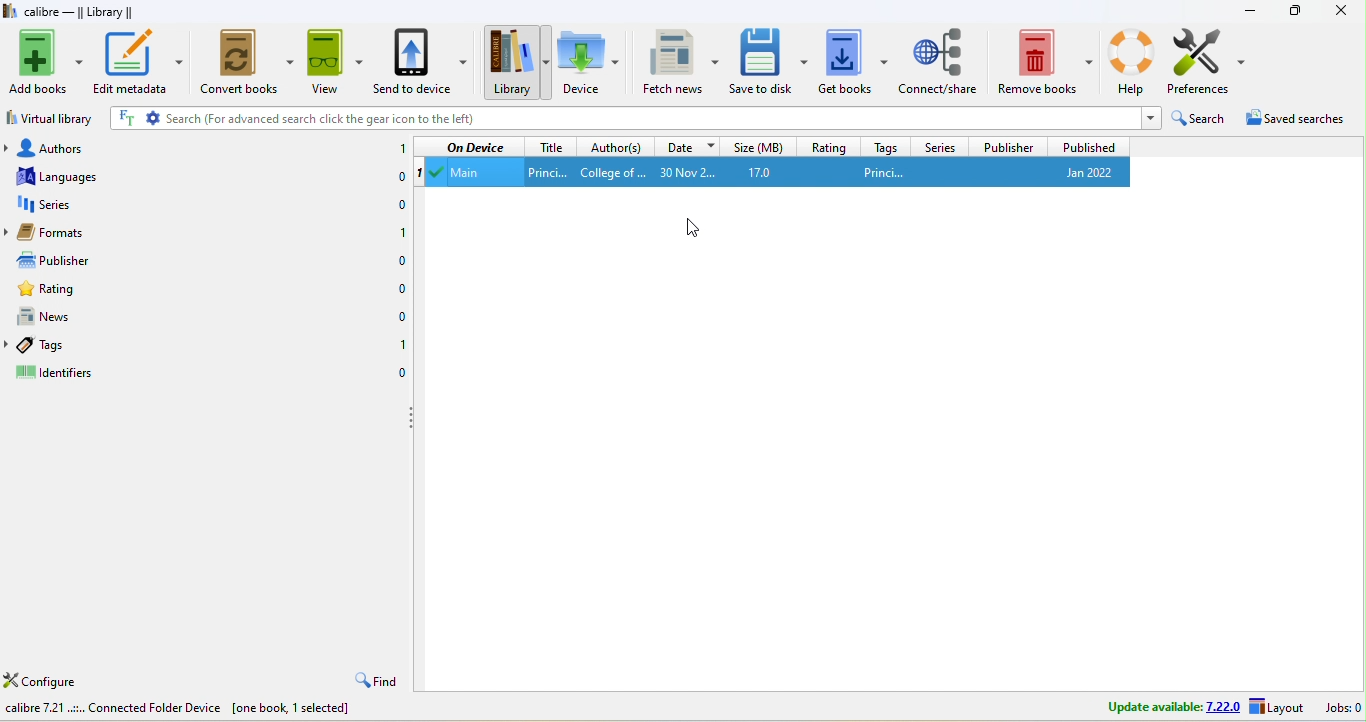 This screenshot has height=722, width=1366. Describe the element at coordinates (55, 145) in the screenshot. I see `authors` at that location.